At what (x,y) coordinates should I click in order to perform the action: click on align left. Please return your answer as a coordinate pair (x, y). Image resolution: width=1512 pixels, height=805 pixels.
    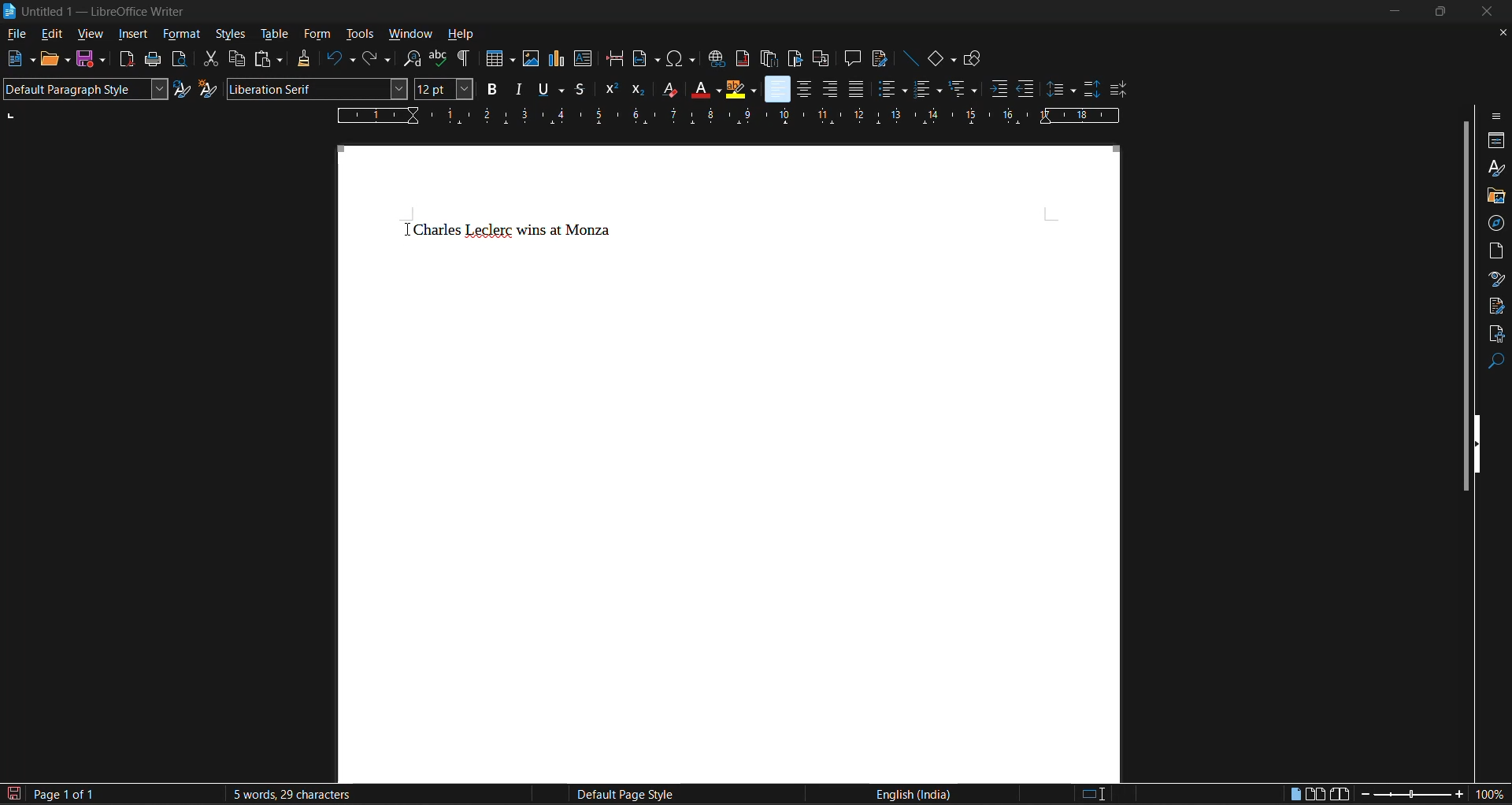
    Looking at the image, I should click on (776, 88).